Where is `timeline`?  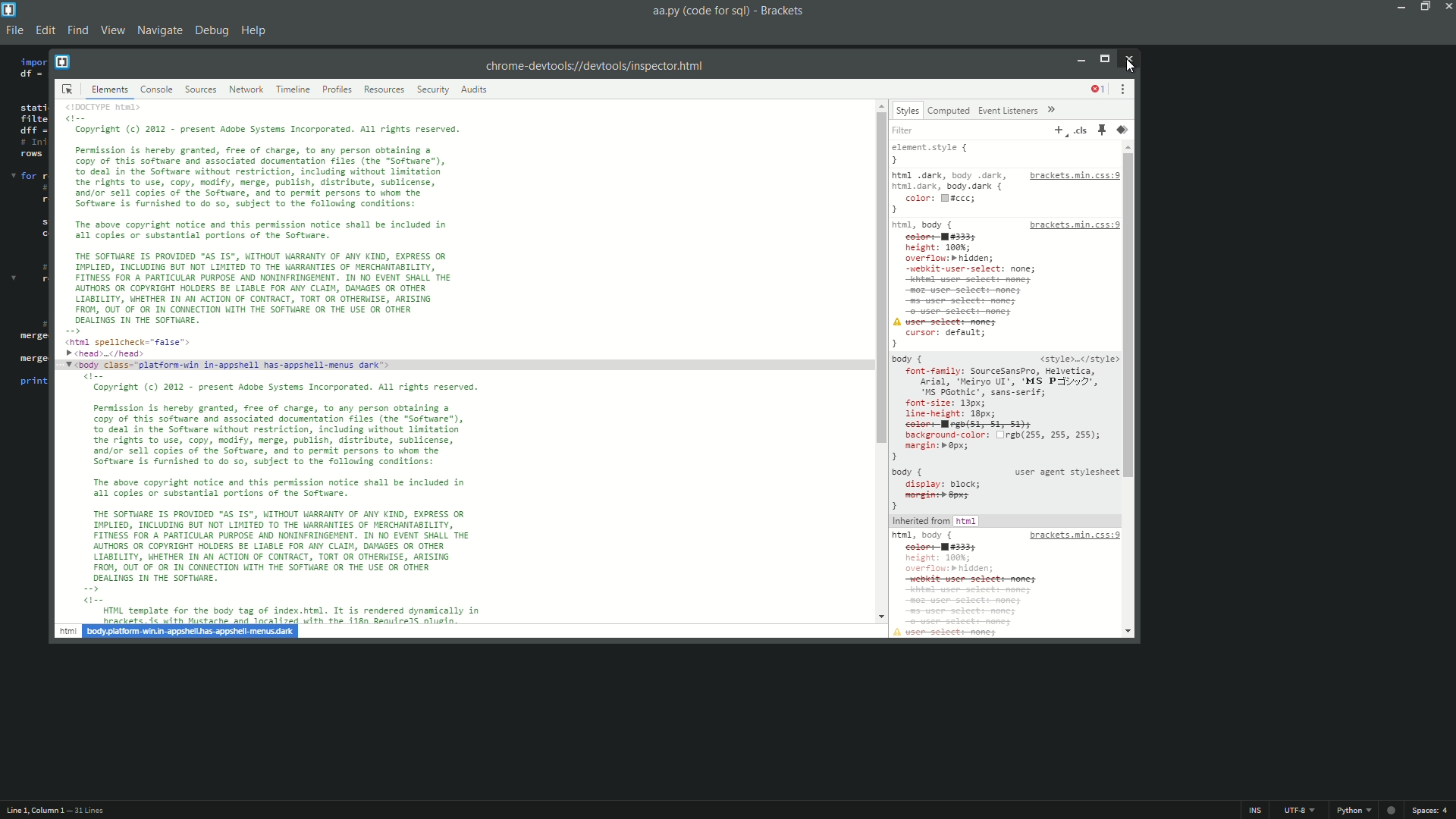
timeline is located at coordinates (293, 89).